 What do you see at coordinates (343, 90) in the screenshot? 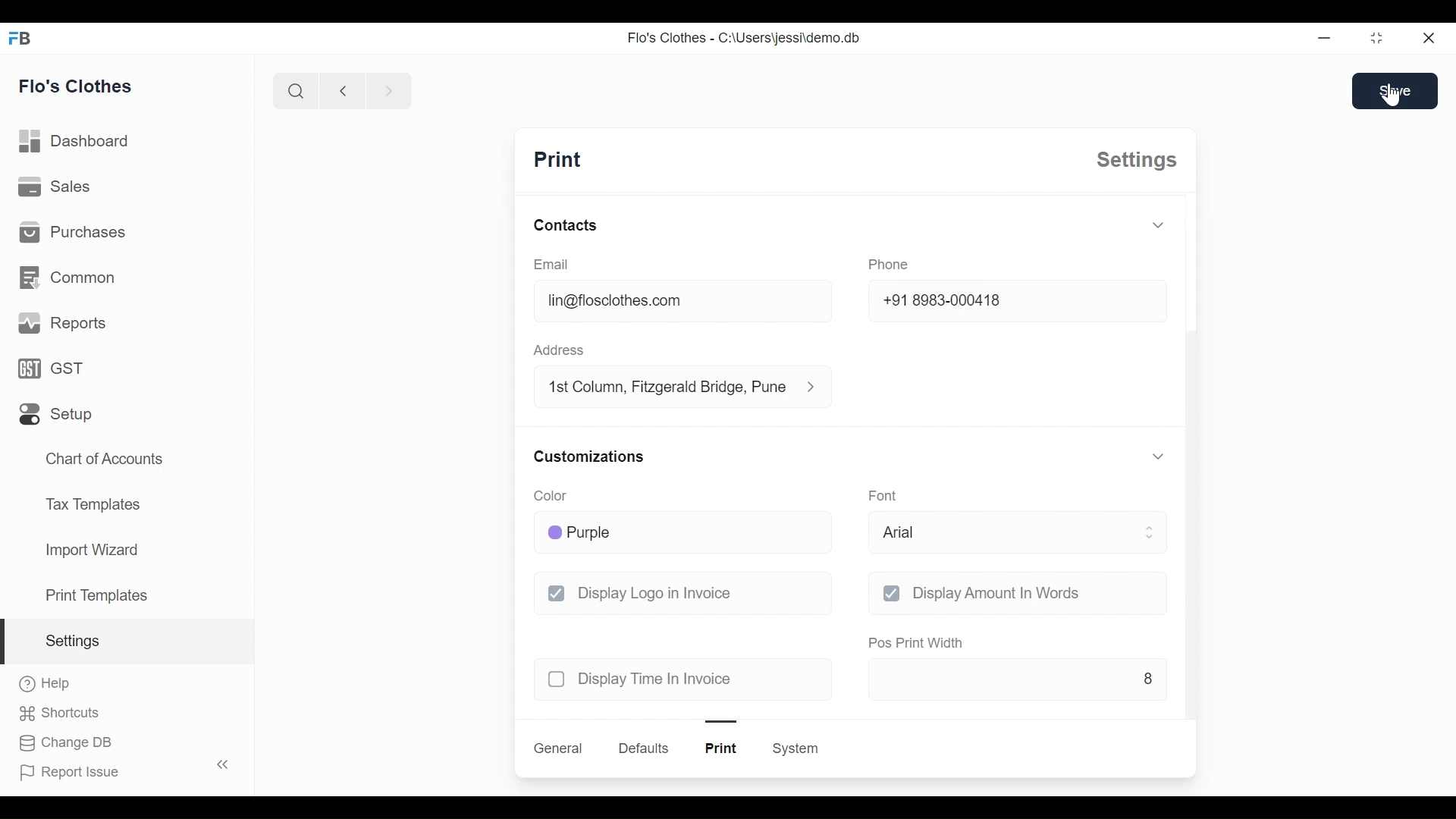
I see `previous` at bounding box center [343, 90].